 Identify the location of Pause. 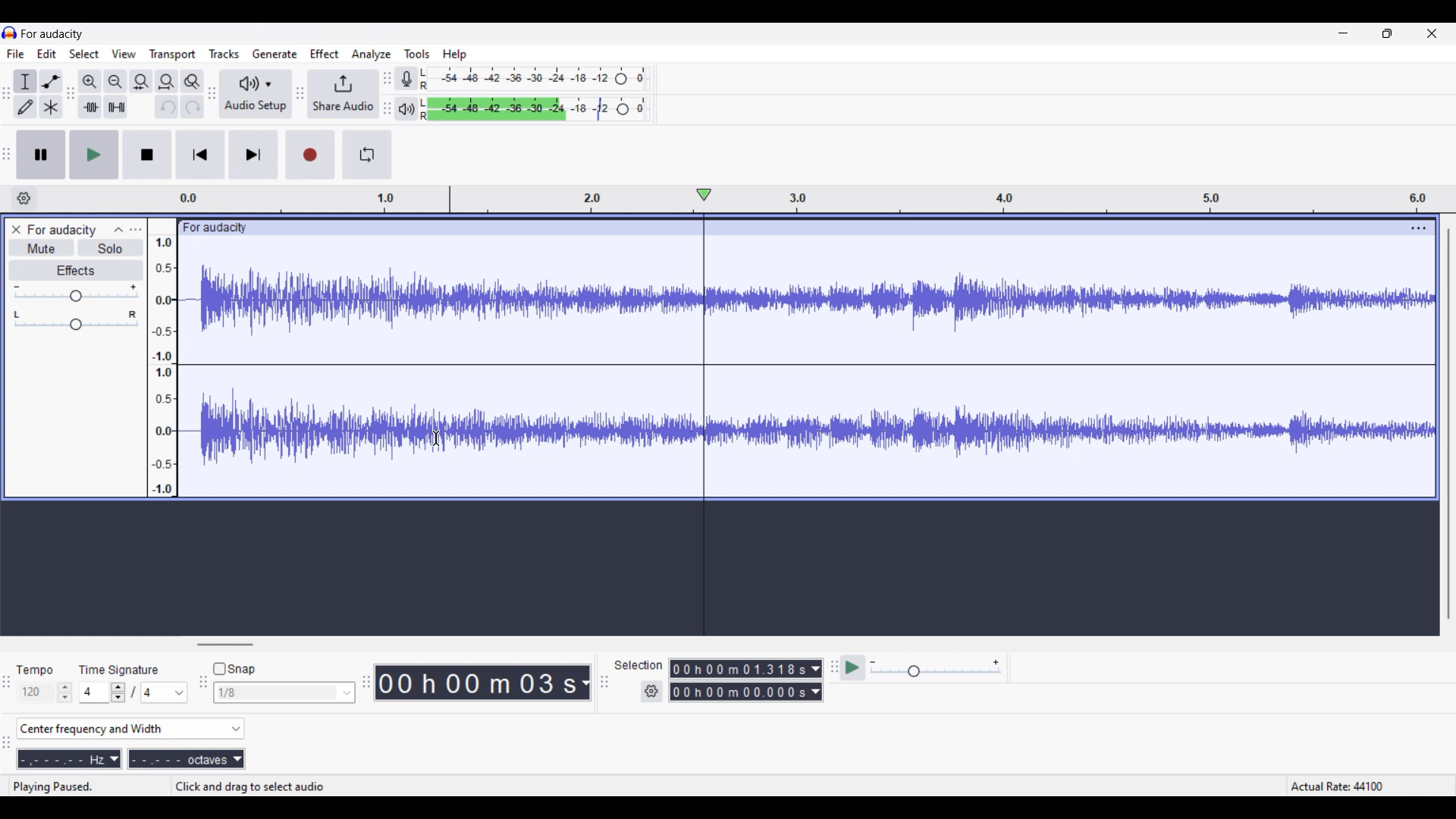
(41, 155).